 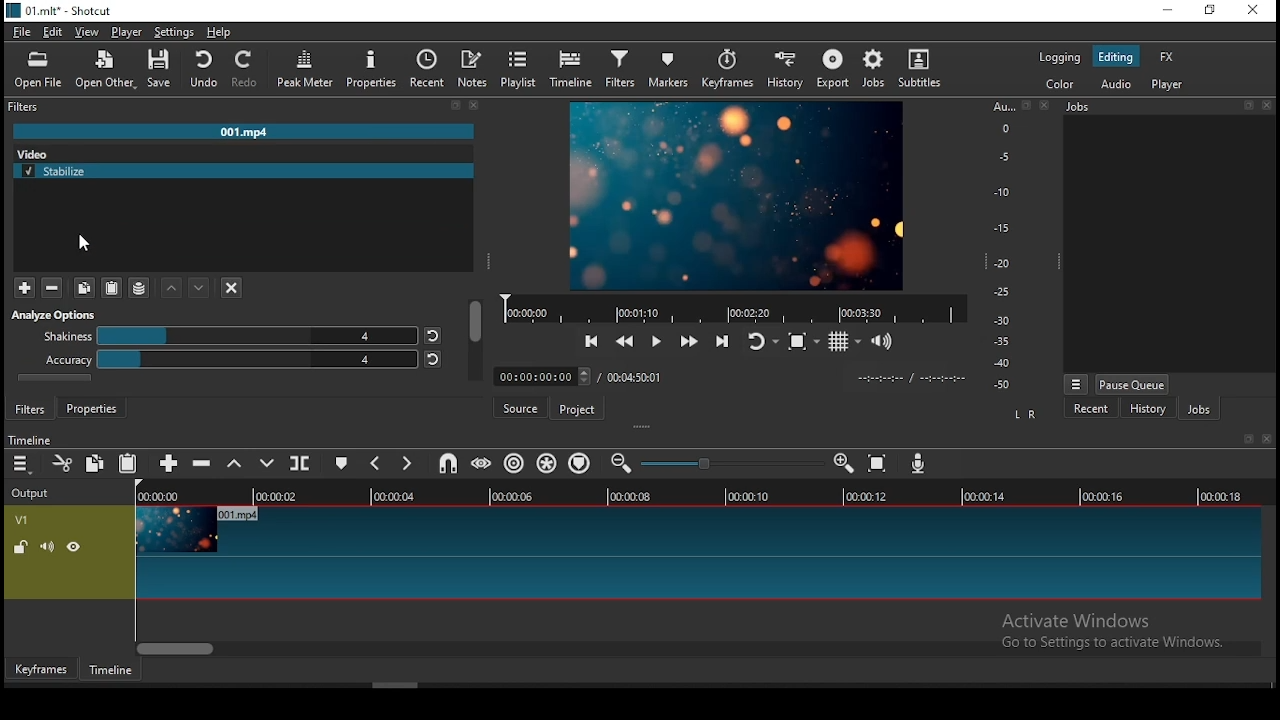 What do you see at coordinates (519, 407) in the screenshot?
I see `source` at bounding box center [519, 407].